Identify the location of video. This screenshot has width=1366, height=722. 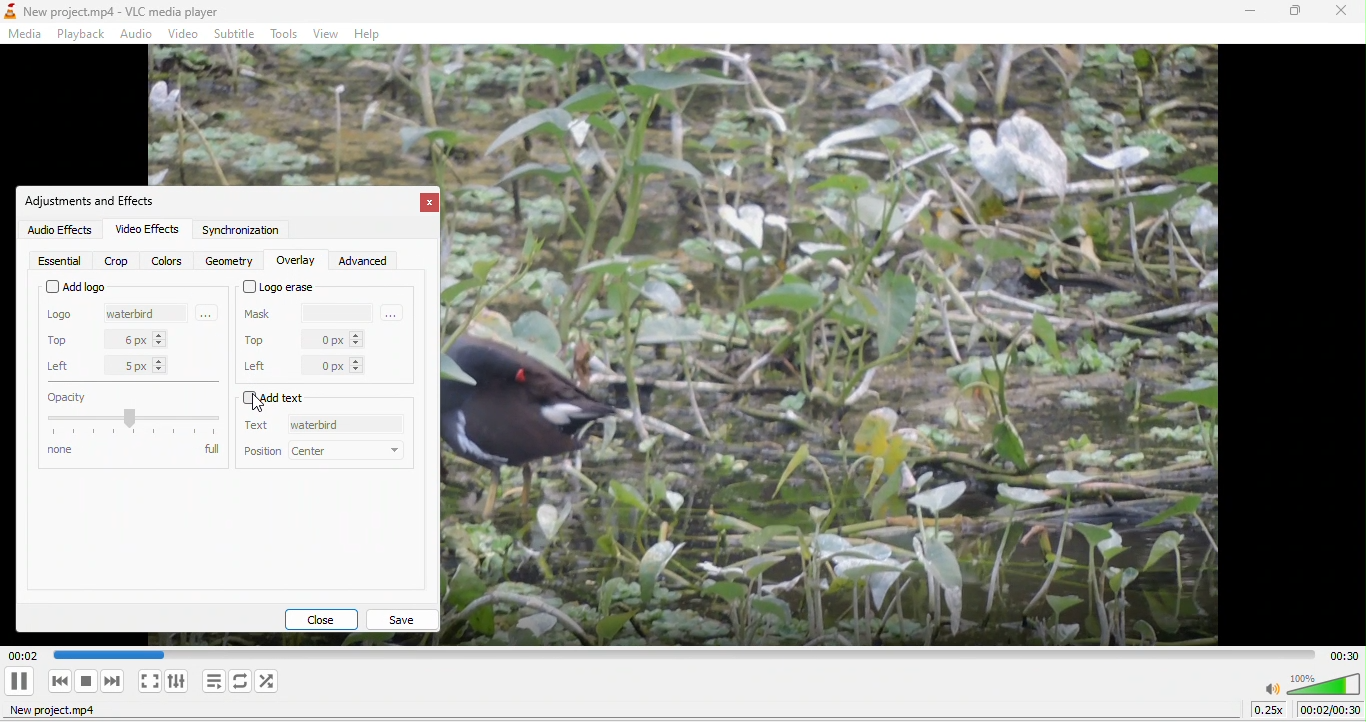
(183, 34).